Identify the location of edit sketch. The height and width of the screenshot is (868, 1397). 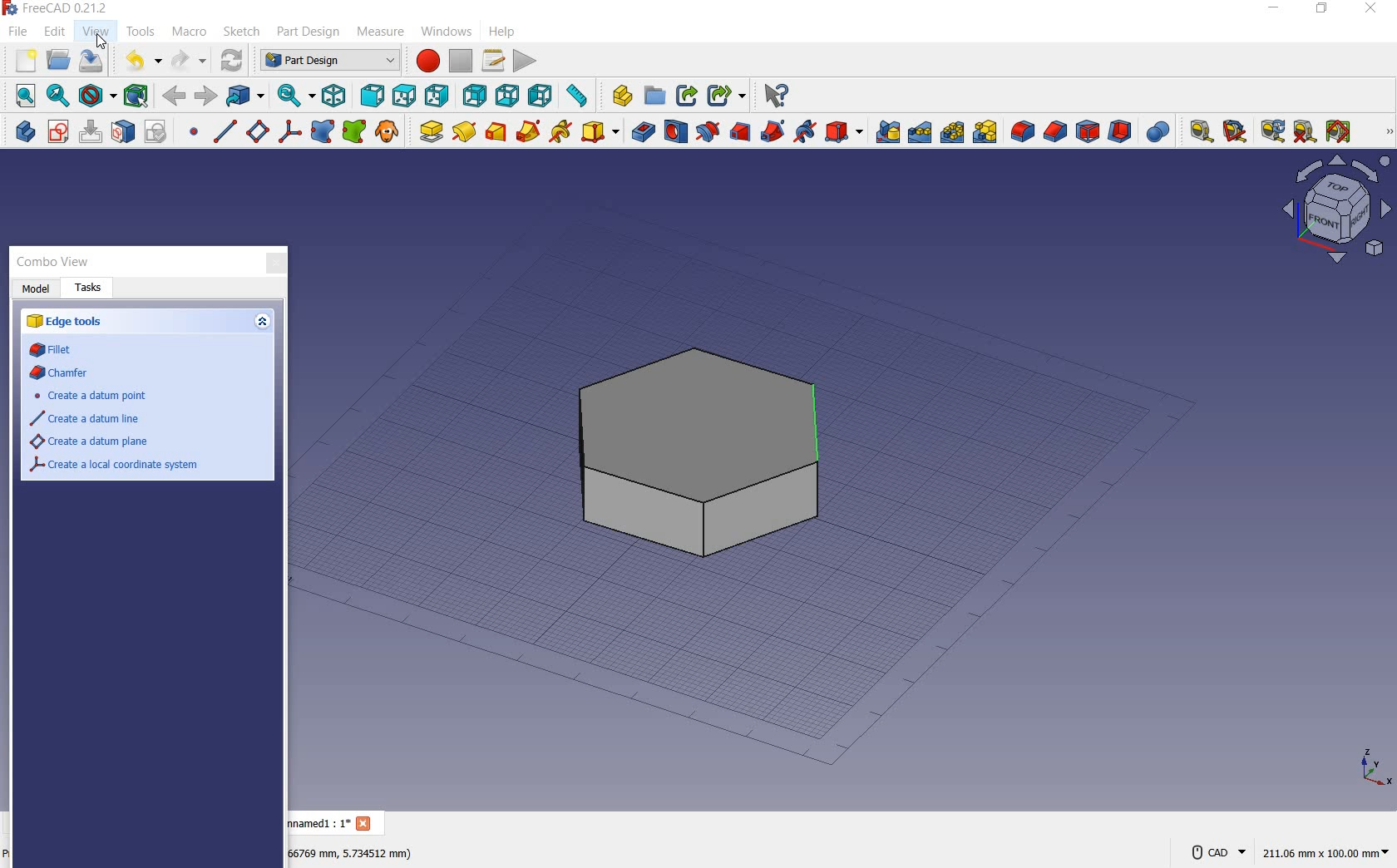
(92, 131).